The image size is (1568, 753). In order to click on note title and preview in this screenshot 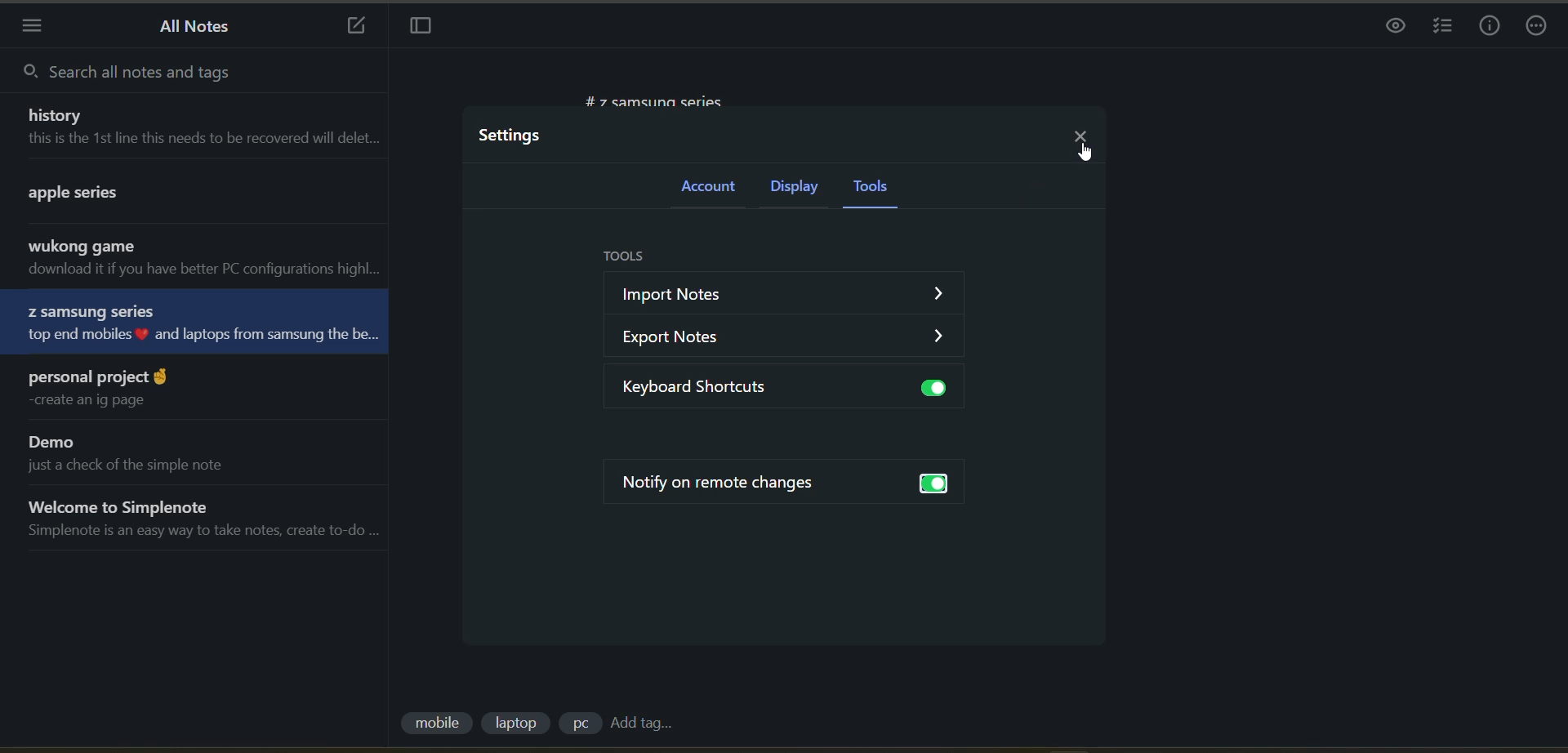, I will do `click(106, 390)`.